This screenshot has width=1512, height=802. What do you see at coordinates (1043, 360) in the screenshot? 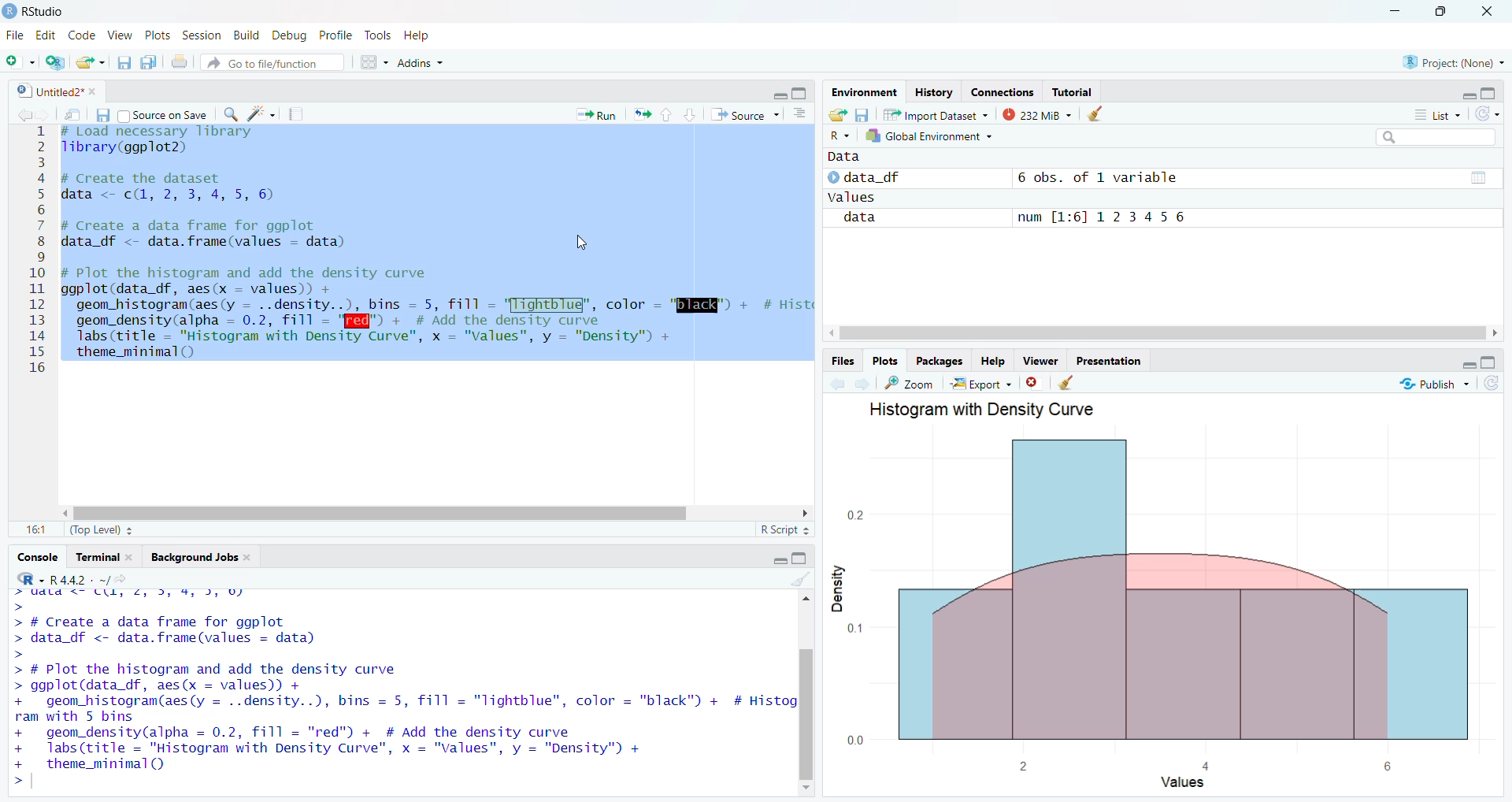
I see `Viewer` at bounding box center [1043, 360].